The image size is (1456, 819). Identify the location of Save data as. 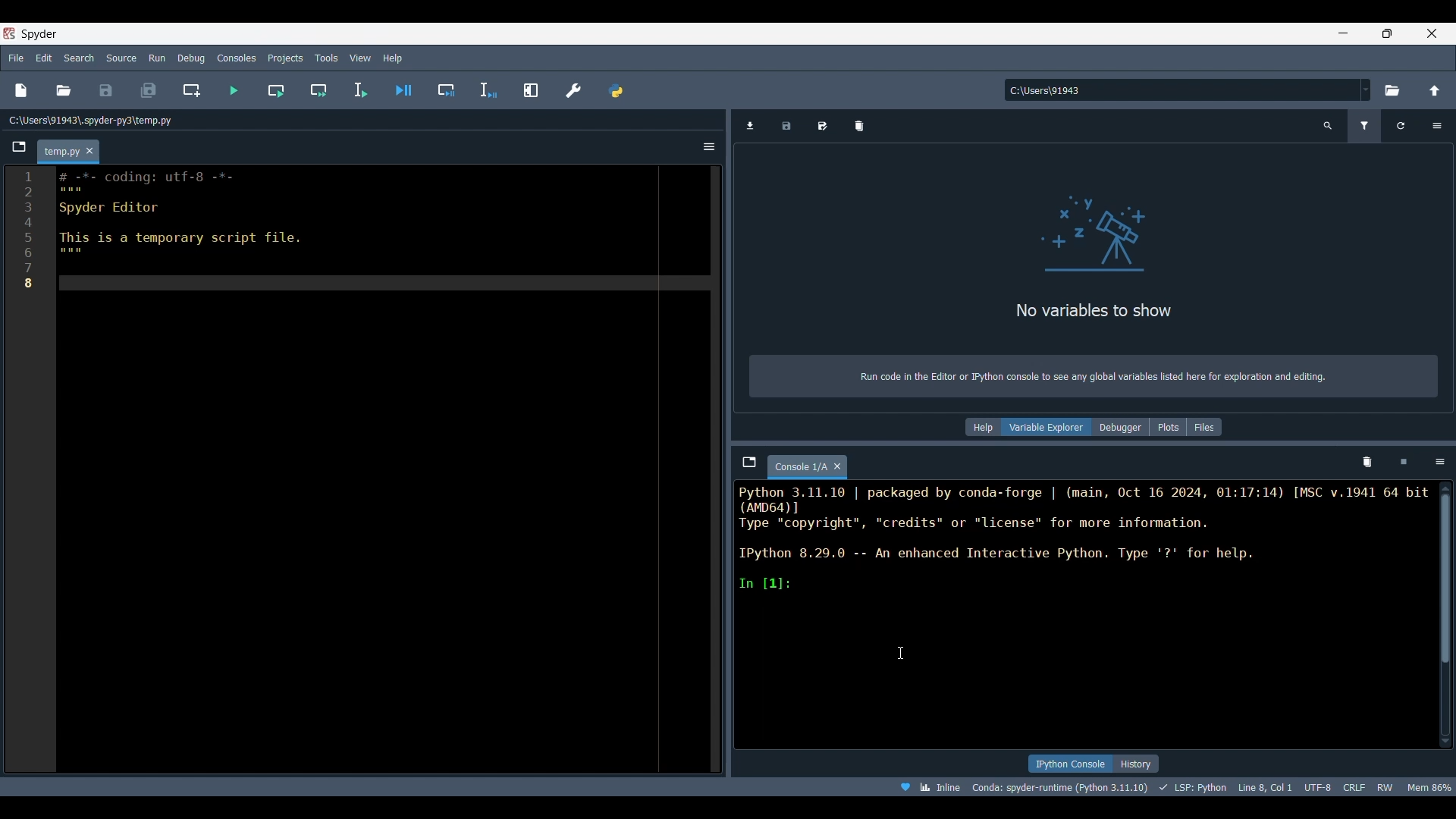
(823, 126).